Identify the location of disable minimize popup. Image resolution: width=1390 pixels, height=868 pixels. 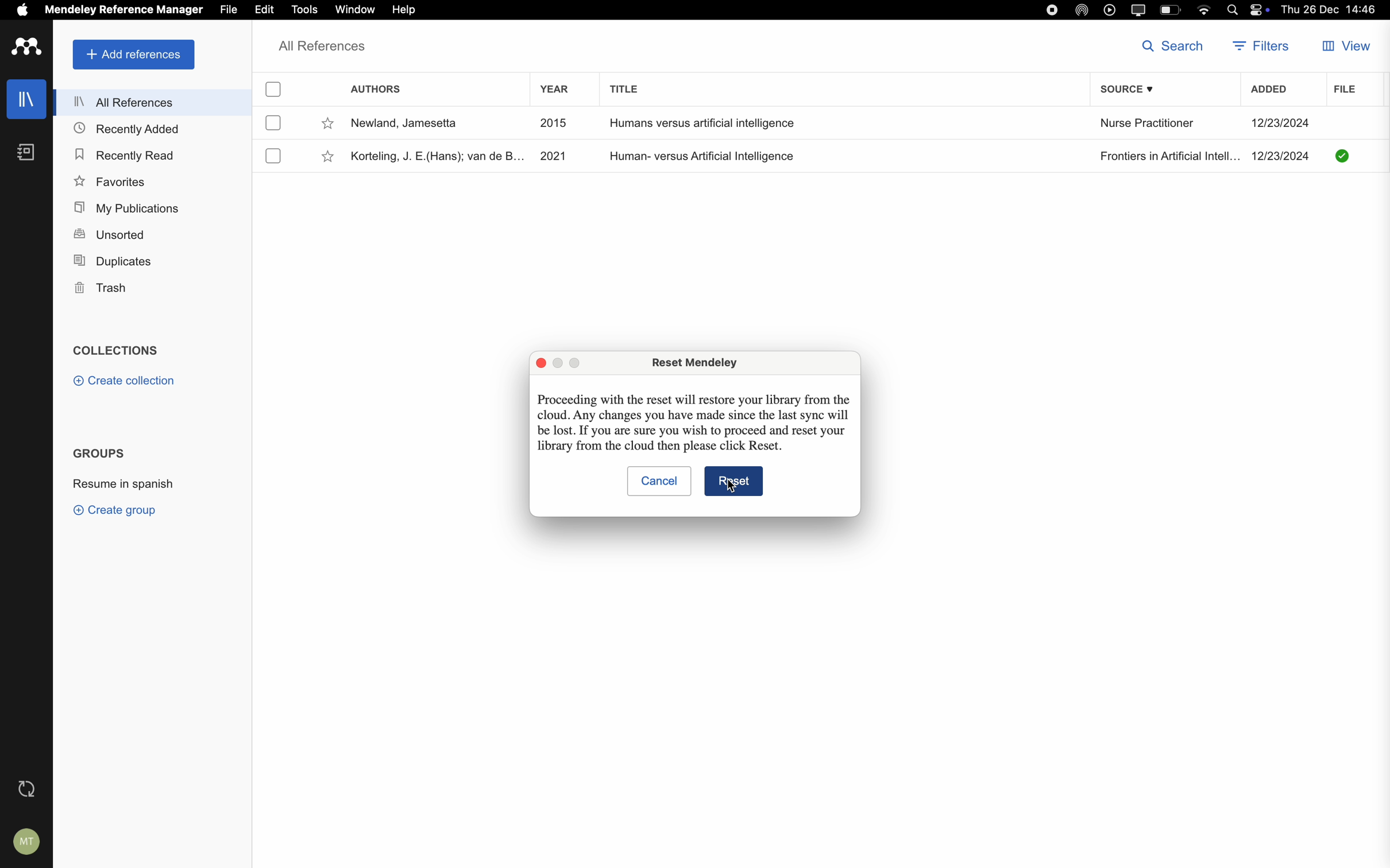
(562, 363).